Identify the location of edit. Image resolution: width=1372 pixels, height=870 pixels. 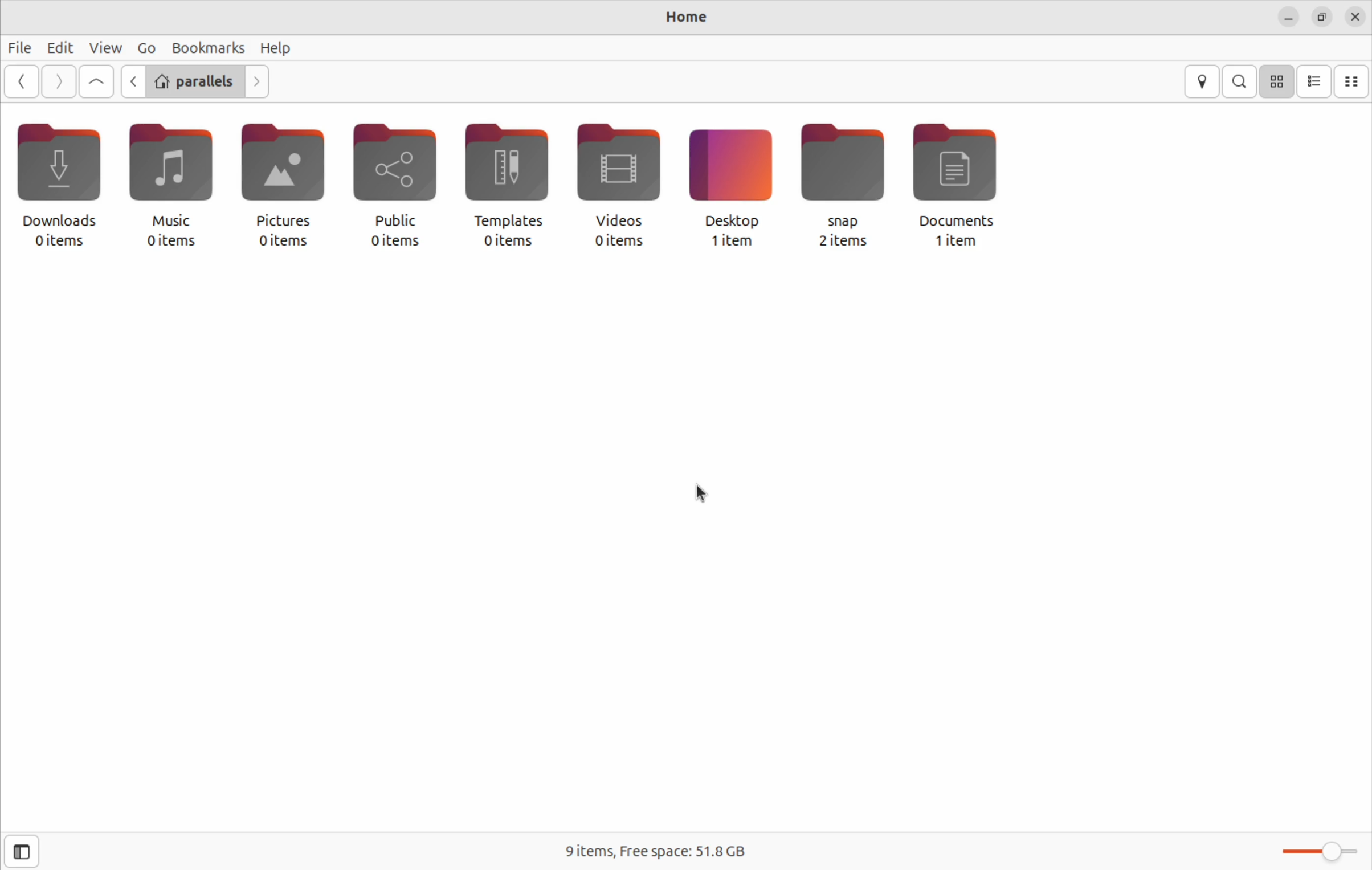
(59, 46).